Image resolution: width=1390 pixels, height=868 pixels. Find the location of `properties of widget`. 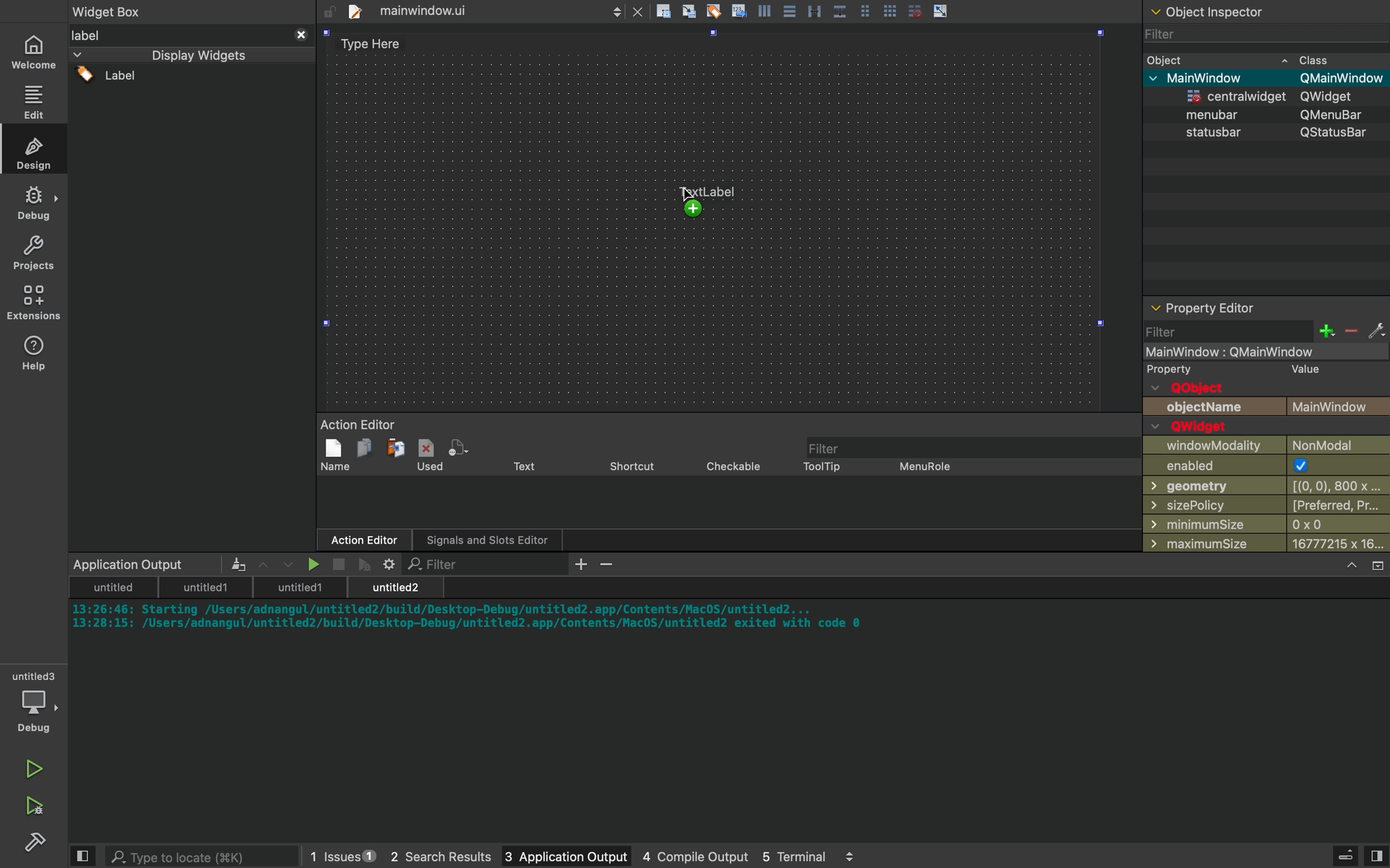

properties of widget is located at coordinates (1268, 427).